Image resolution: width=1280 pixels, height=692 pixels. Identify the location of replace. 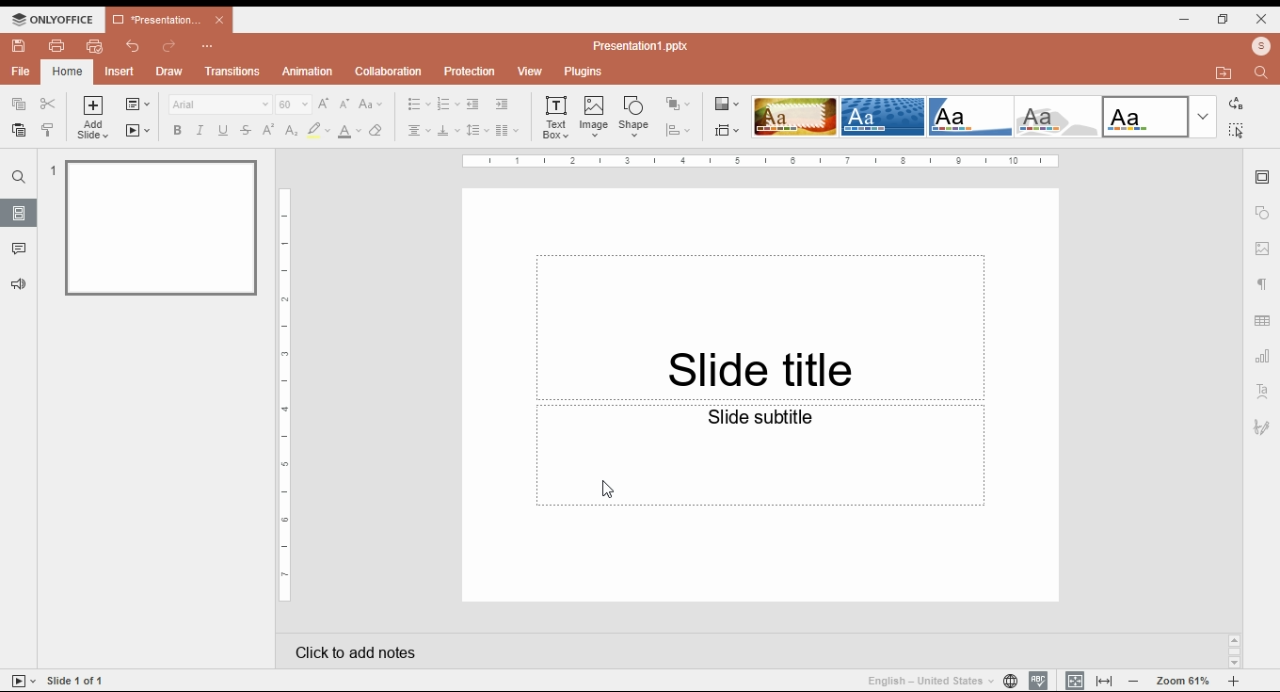
(1234, 104).